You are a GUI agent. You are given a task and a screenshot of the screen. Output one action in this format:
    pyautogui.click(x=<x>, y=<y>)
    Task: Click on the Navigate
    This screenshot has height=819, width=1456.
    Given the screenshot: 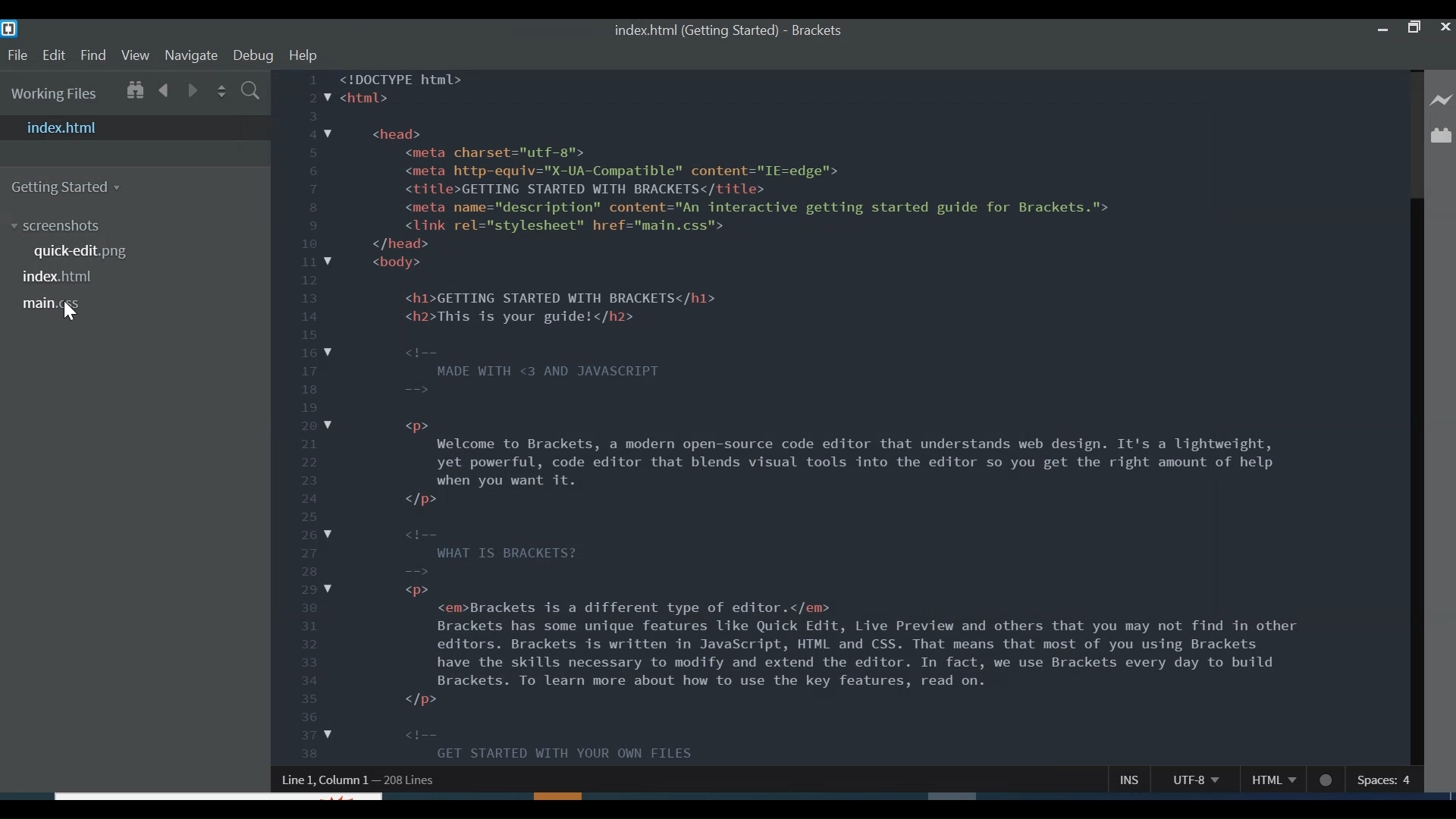 What is the action you would take?
    pyautogui.click(x=190, y=57)
    